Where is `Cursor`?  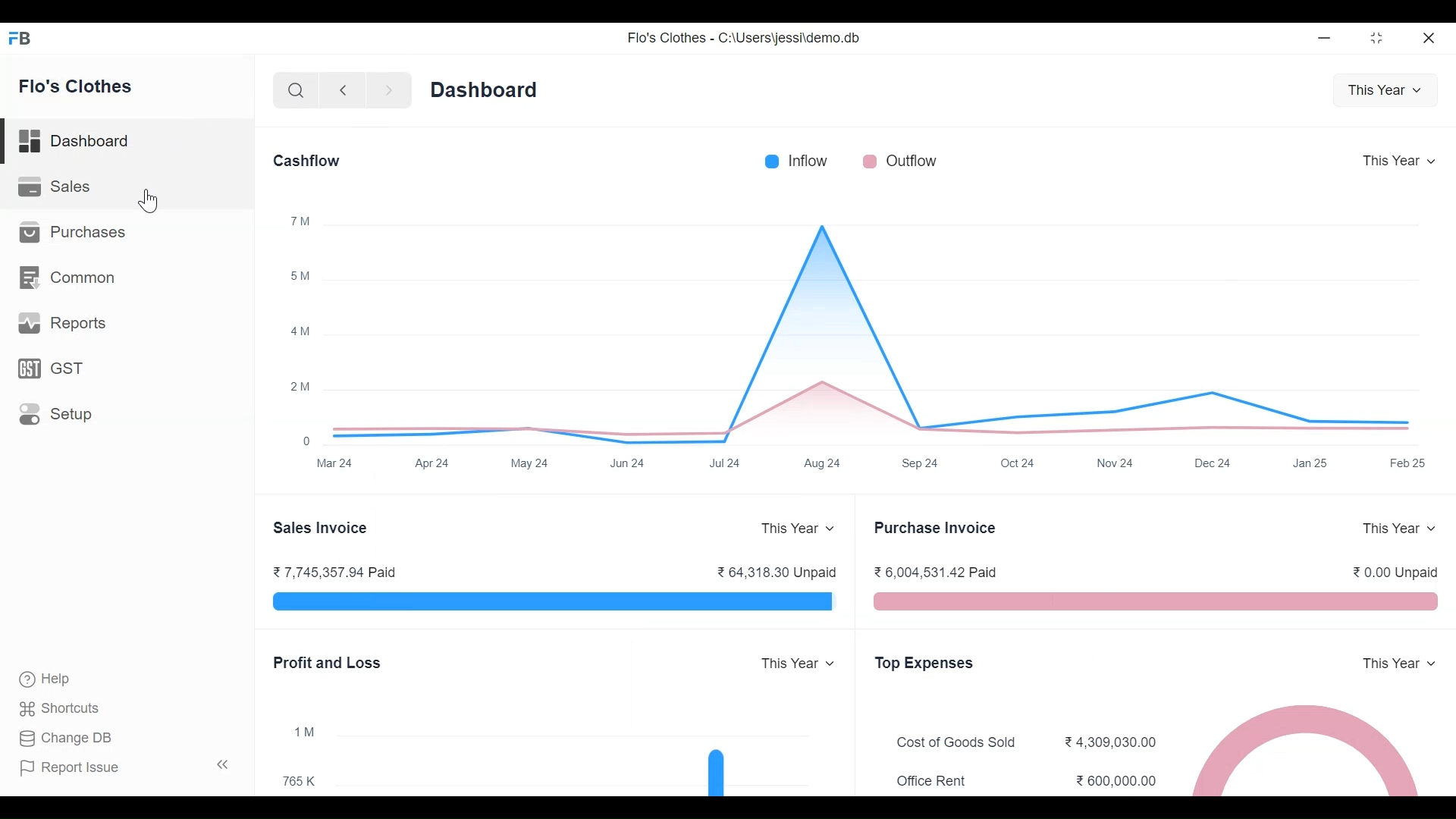
Cursor is located at coordinates (152, 201).